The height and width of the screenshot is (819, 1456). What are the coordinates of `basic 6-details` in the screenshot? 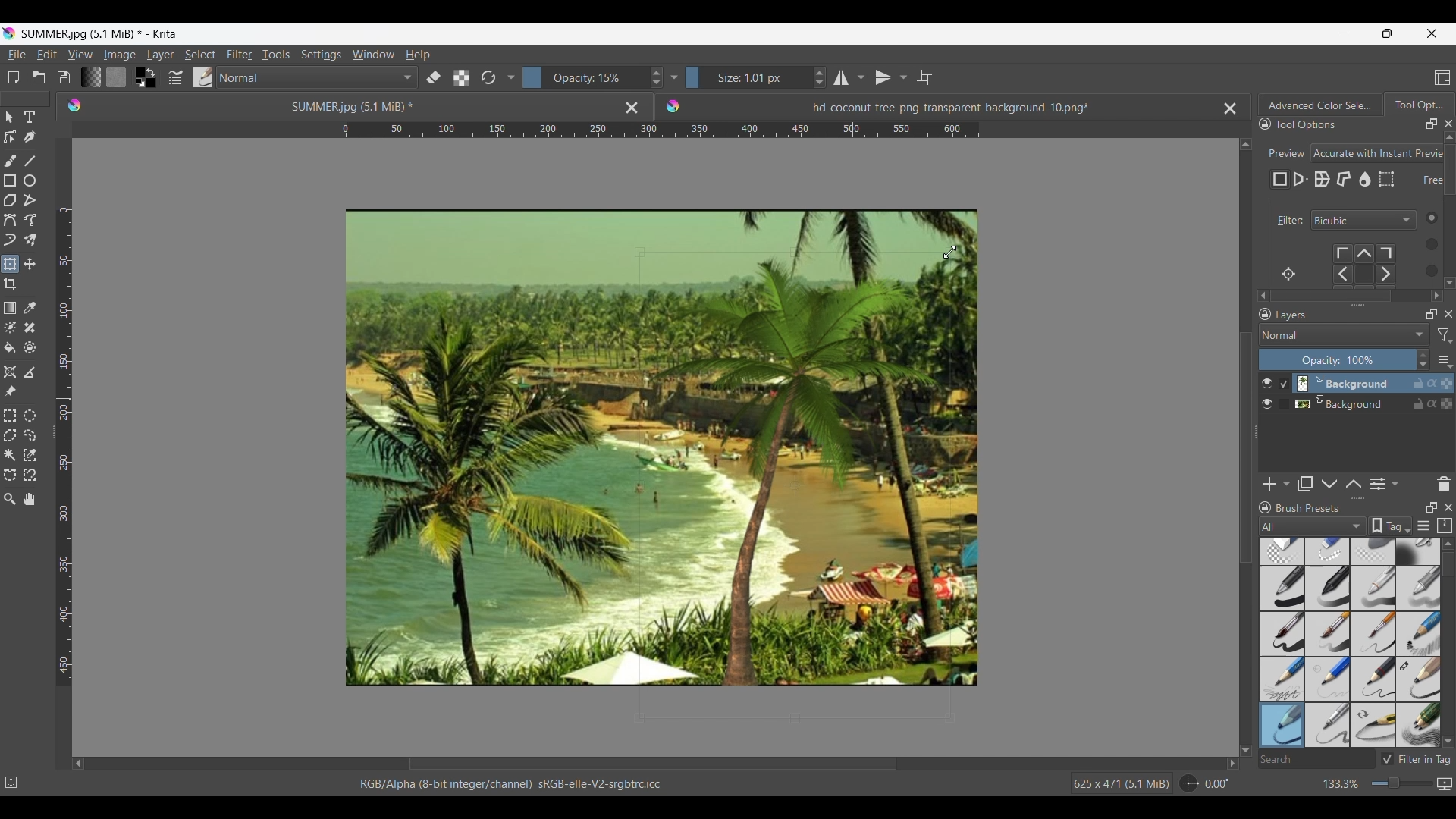 It's located at (1375, 634).